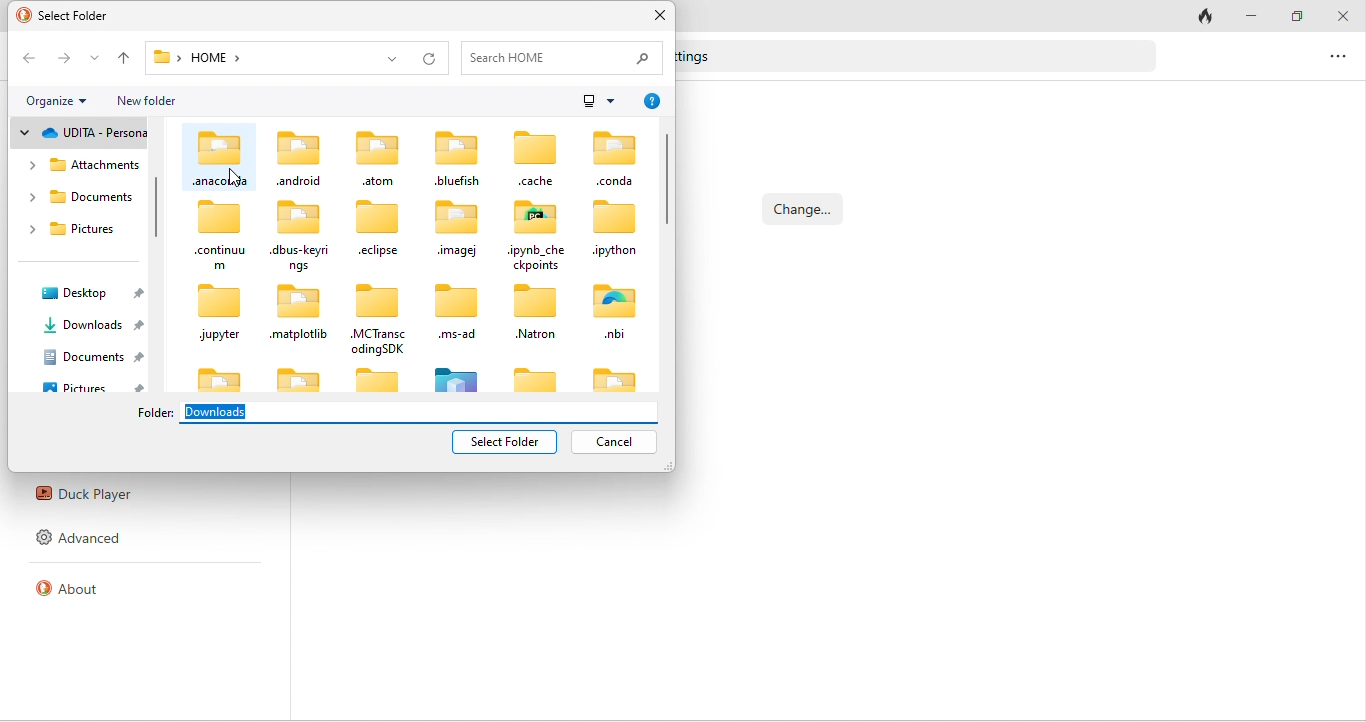  Describe the element at coordinates (1294, 15) in the screenshot. I see `maximize` at that location.